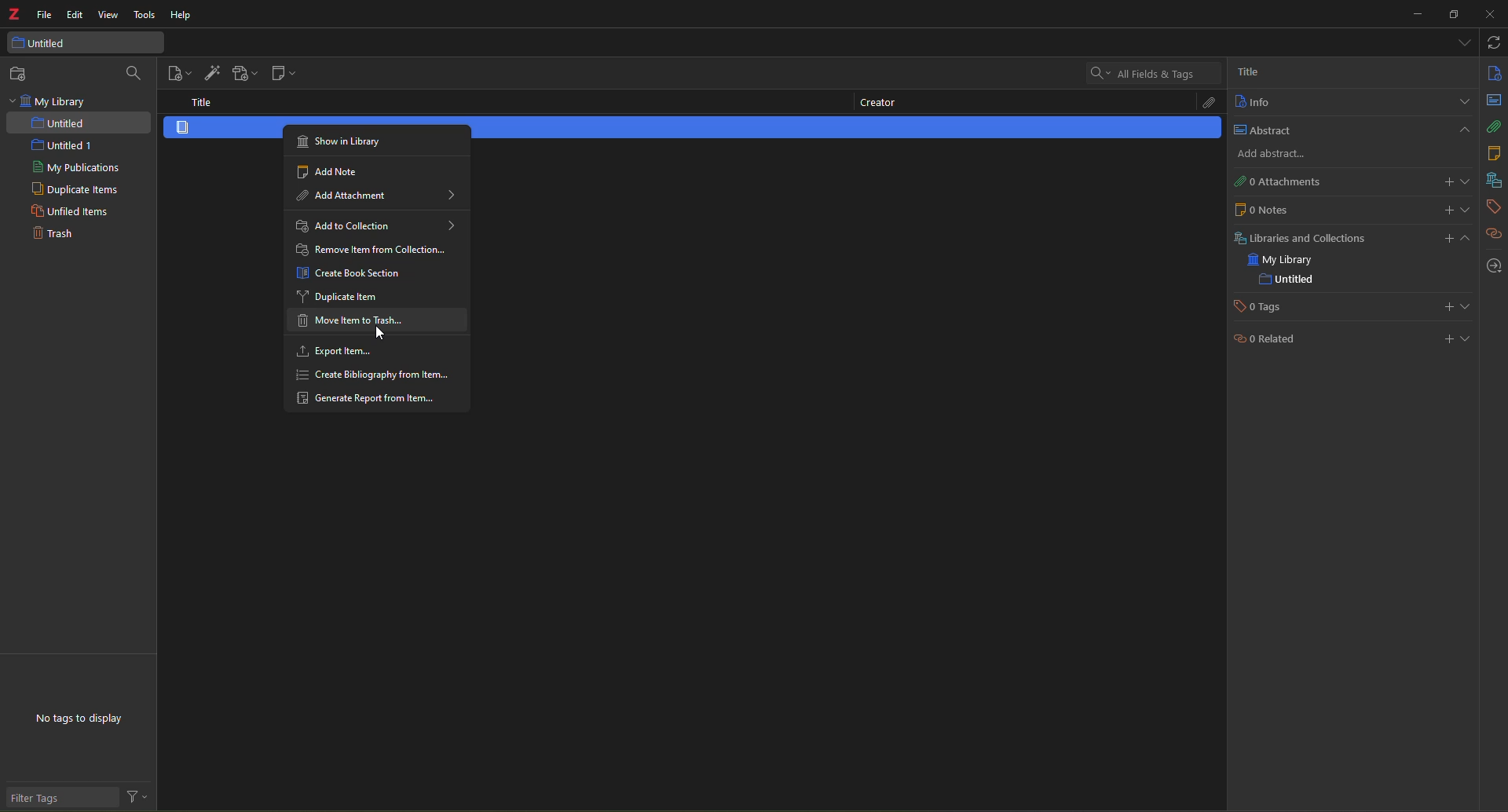  What do you see at coordinates (60, 123) in the screenshot?
I see `untitled` at bounding box center [60, 123].